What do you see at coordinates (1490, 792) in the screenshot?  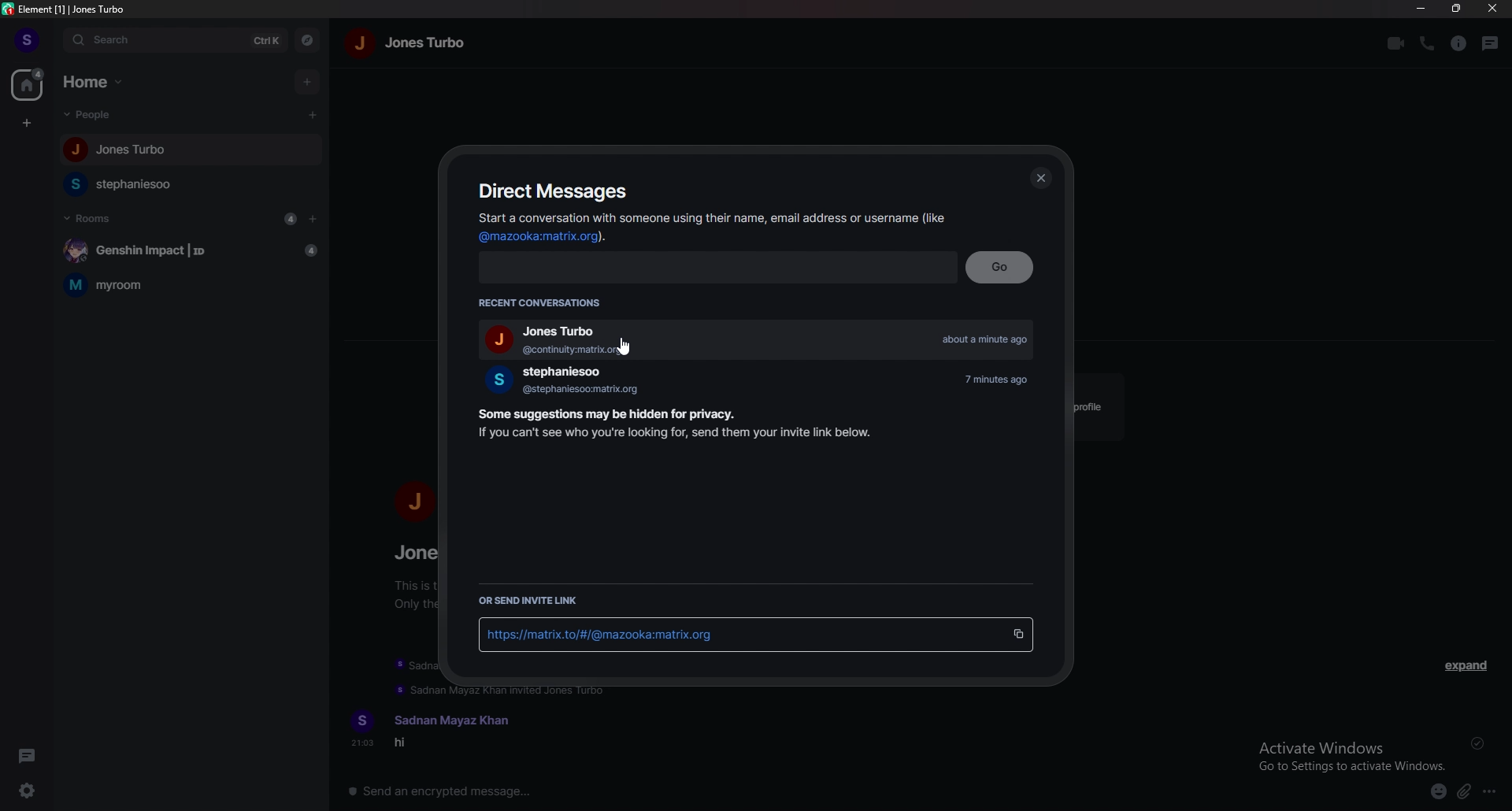 I see `more options` at bounding box center [1490, 792].